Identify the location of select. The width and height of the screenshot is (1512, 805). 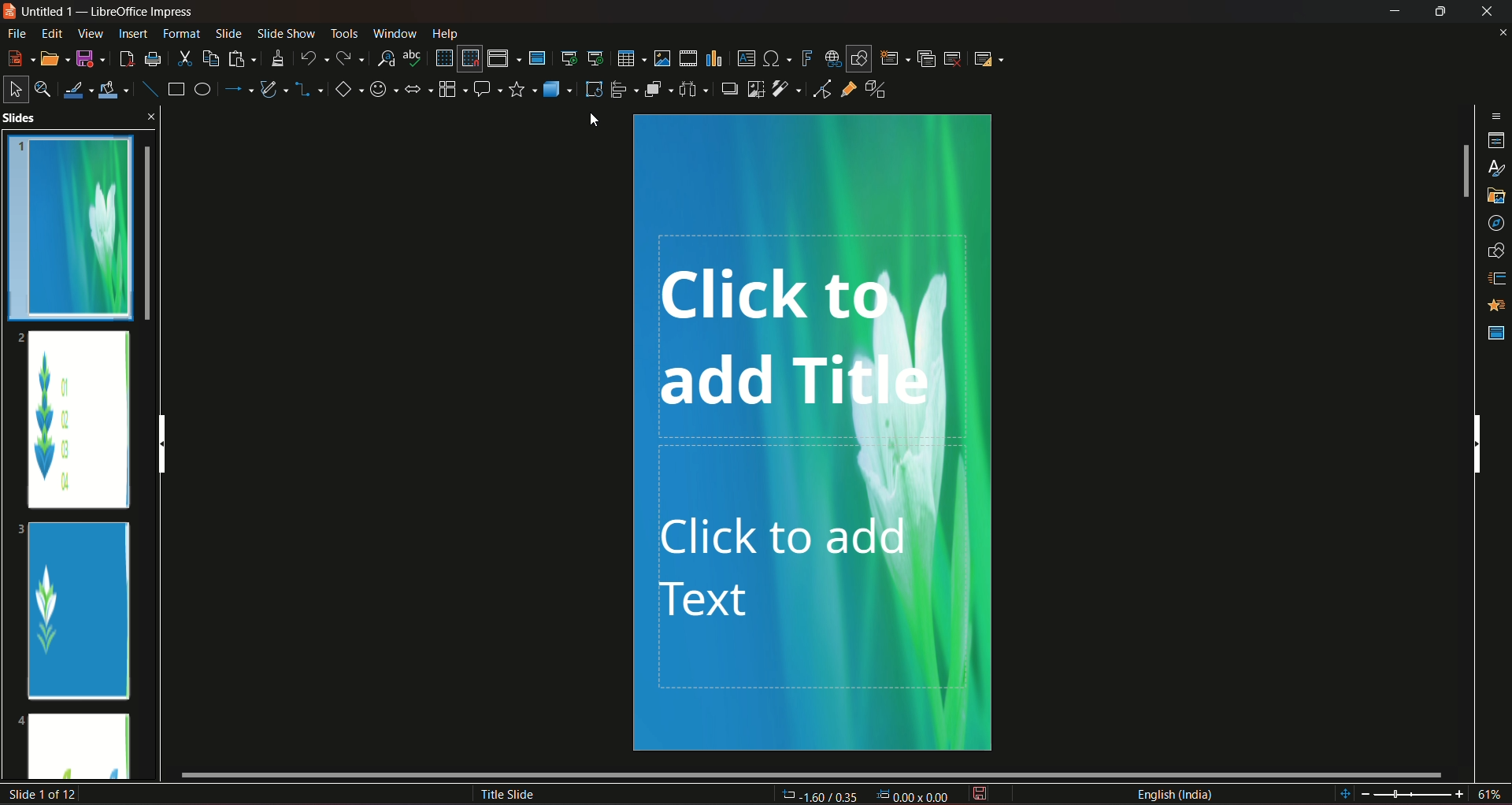
(16, 87).